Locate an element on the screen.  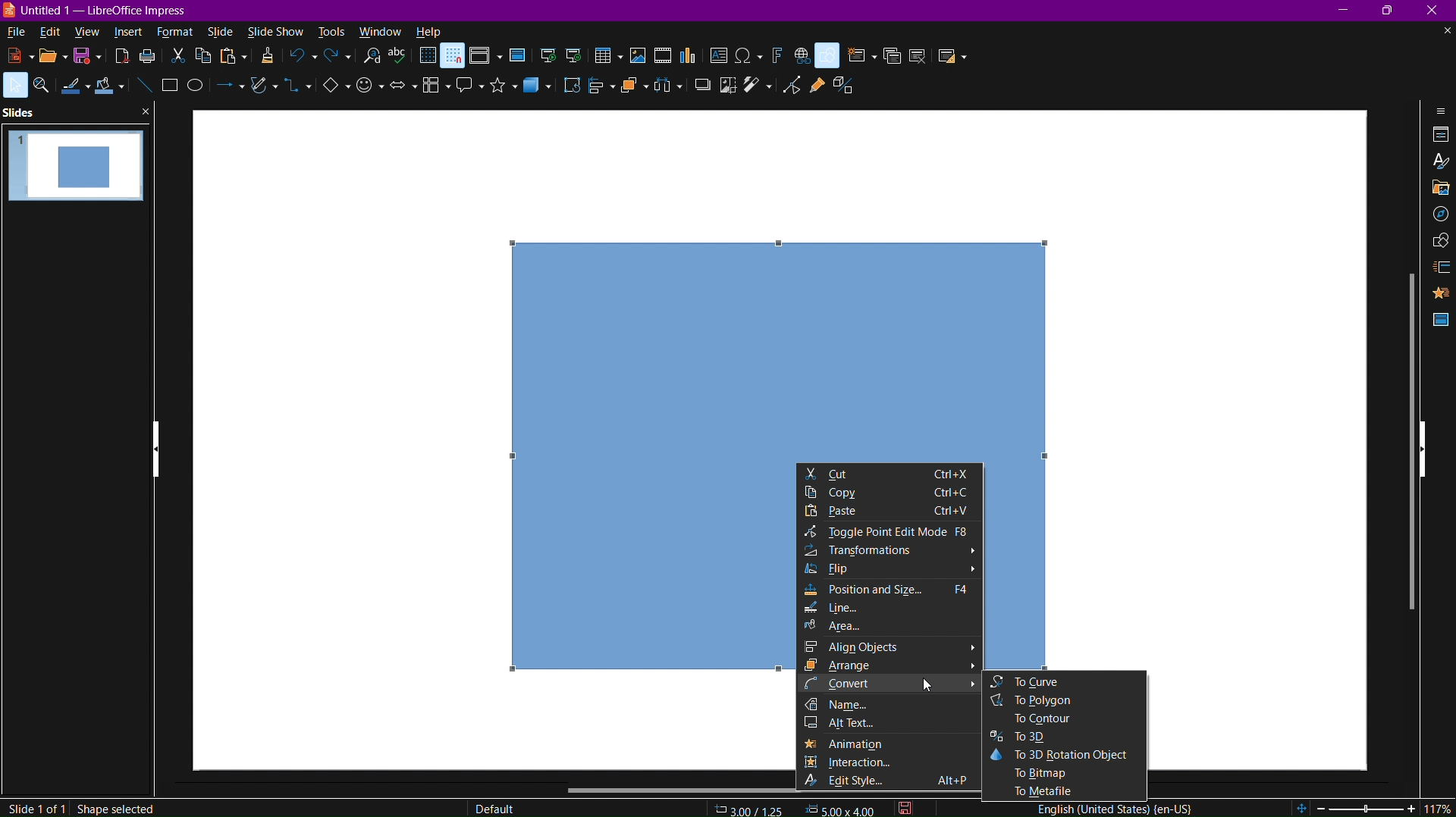
Block Arrows is located at coordinates (401, 92).